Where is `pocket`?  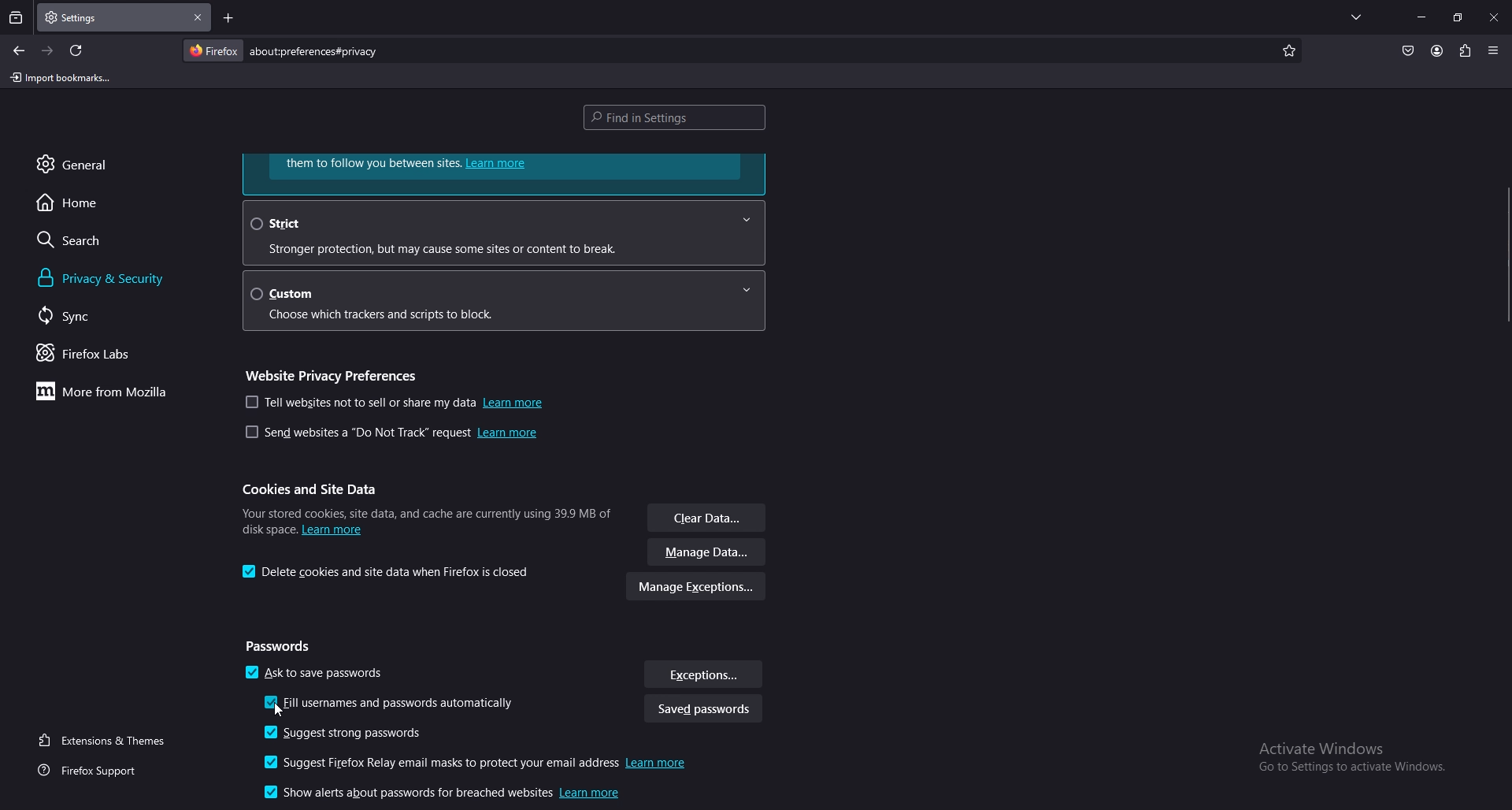 pocket is located at coordinates (1407, 50).